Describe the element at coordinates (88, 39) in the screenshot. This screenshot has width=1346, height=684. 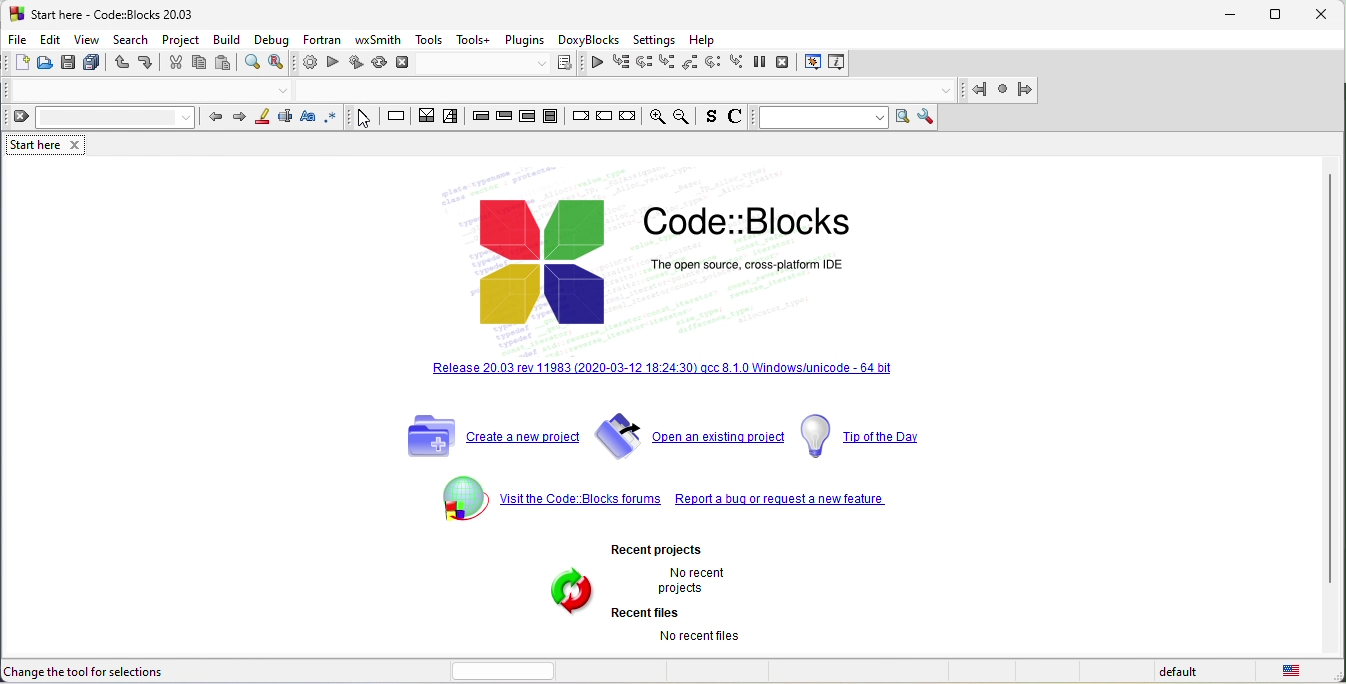
I see `view` at that location.